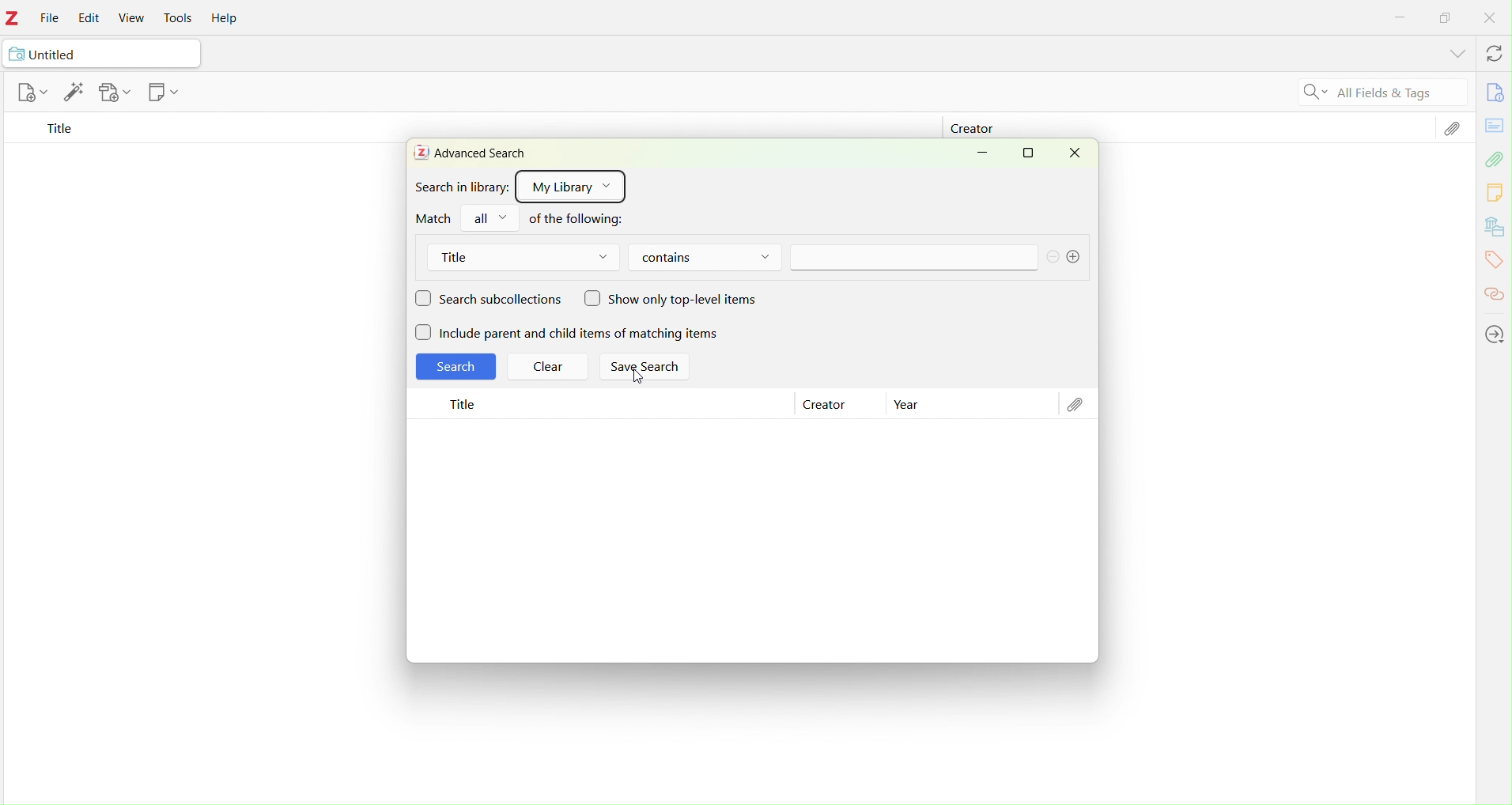 The height and width of the screenshot is (805, 1512). Describe the element at coordinates (1450, 55) in the screenshot. I see `Dropdown` at that location.